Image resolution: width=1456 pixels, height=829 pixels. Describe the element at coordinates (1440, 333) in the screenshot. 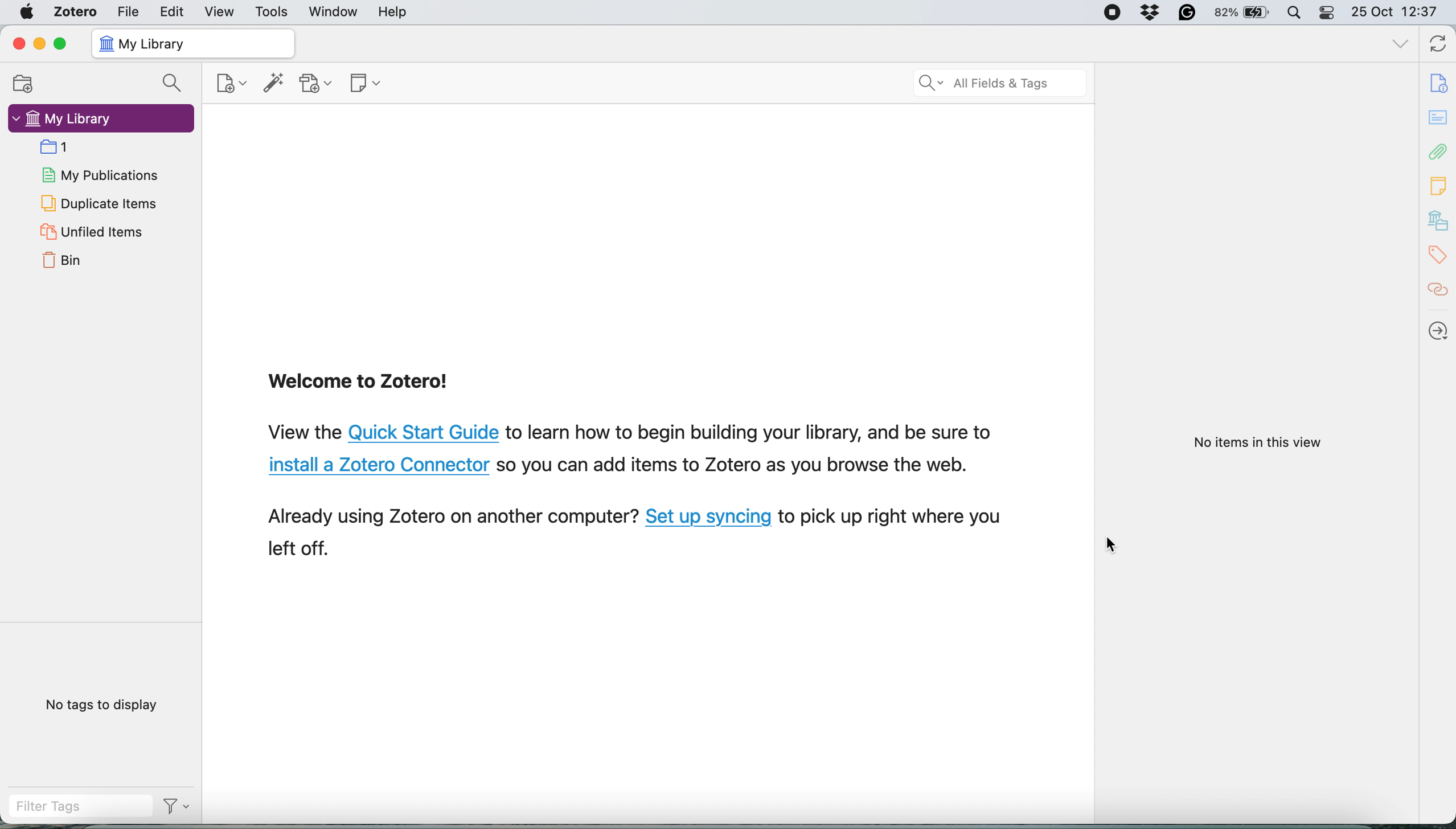

I see `locate` at that location.